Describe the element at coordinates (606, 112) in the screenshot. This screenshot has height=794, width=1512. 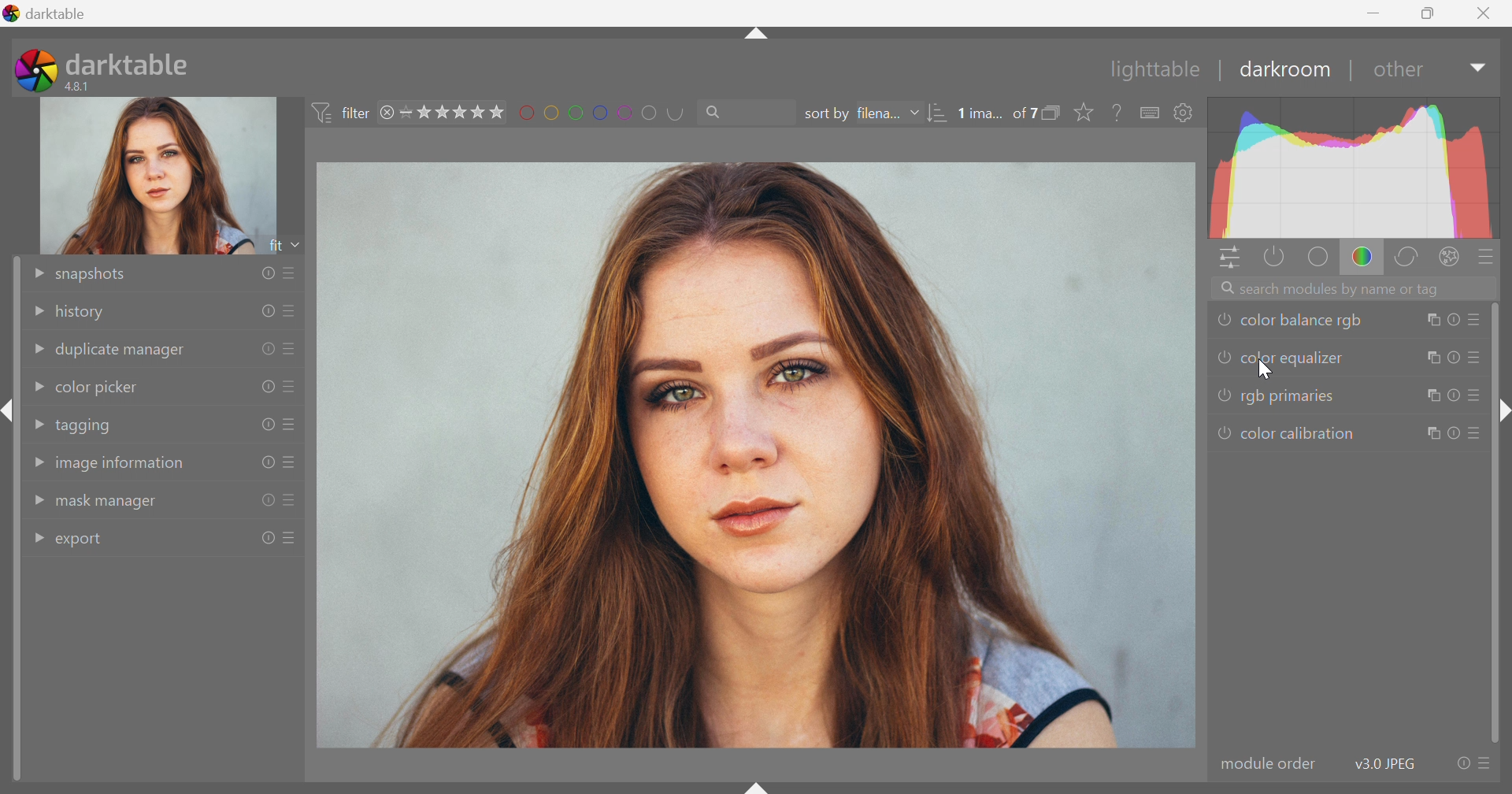
I see `filter by images color label` at that location.